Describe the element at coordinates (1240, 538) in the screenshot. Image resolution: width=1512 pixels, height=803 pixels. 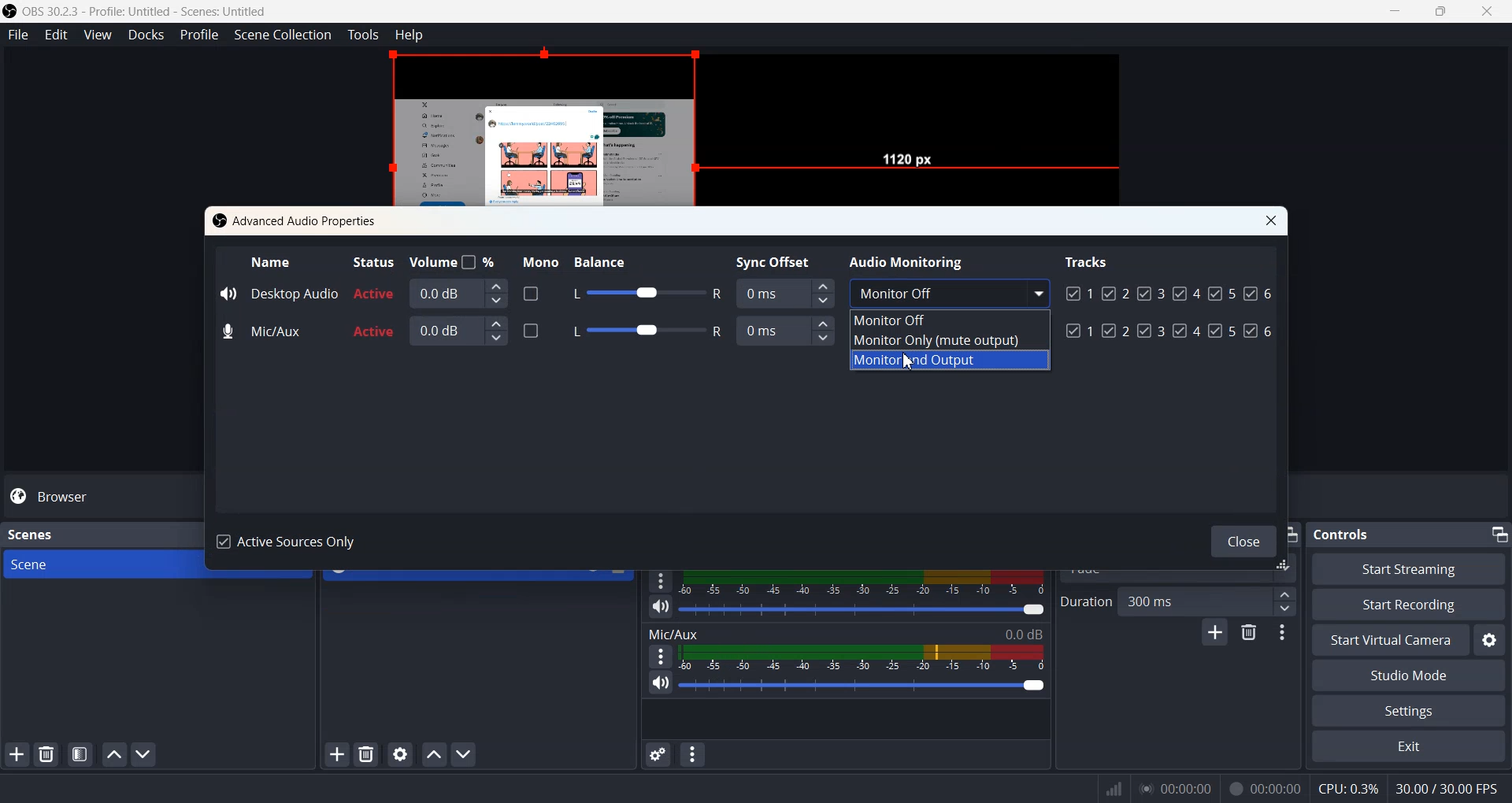
I see `Close` at that location.